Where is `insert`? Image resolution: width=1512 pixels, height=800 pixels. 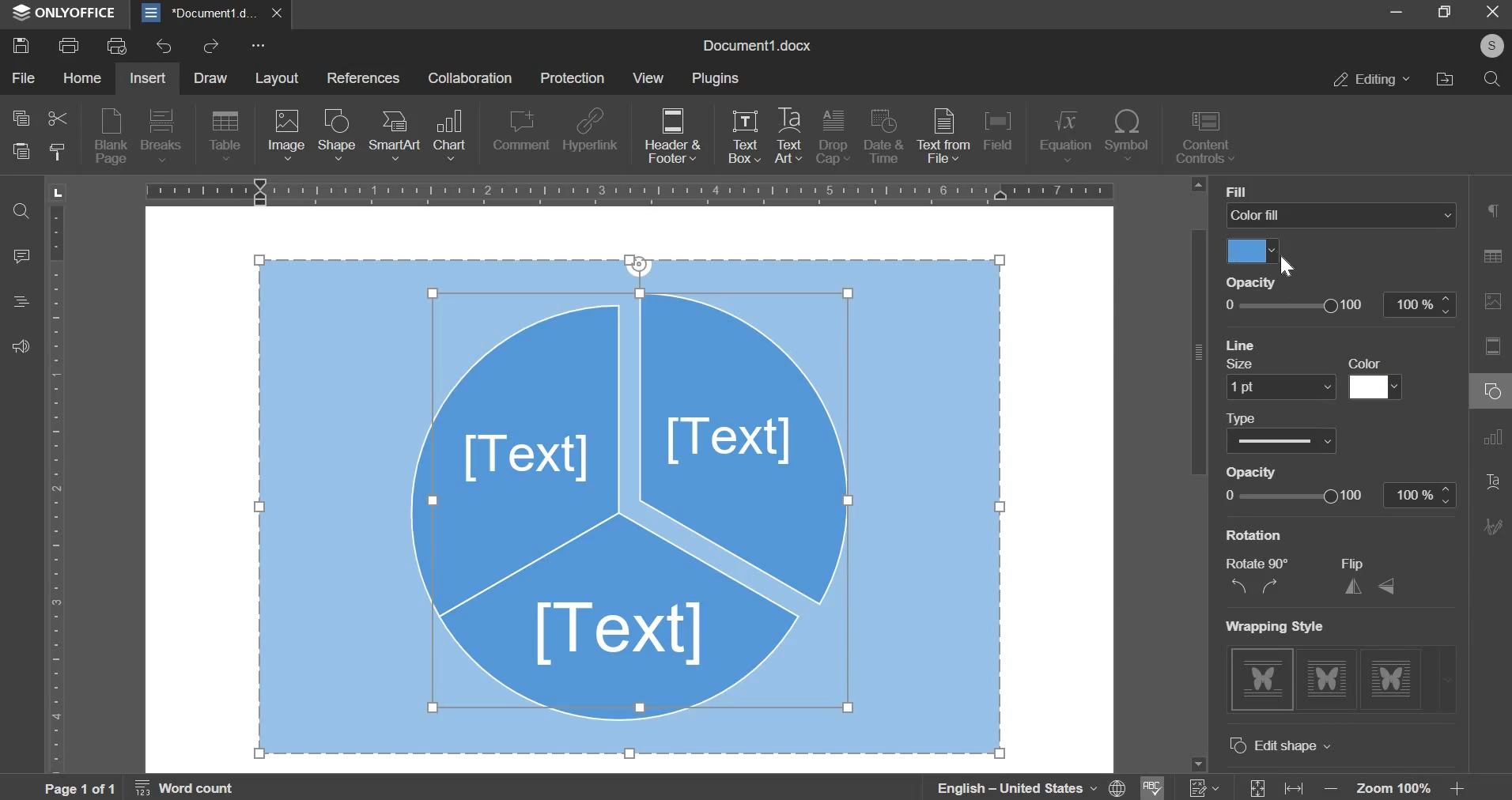 insert is located at coordinates (148, 79).